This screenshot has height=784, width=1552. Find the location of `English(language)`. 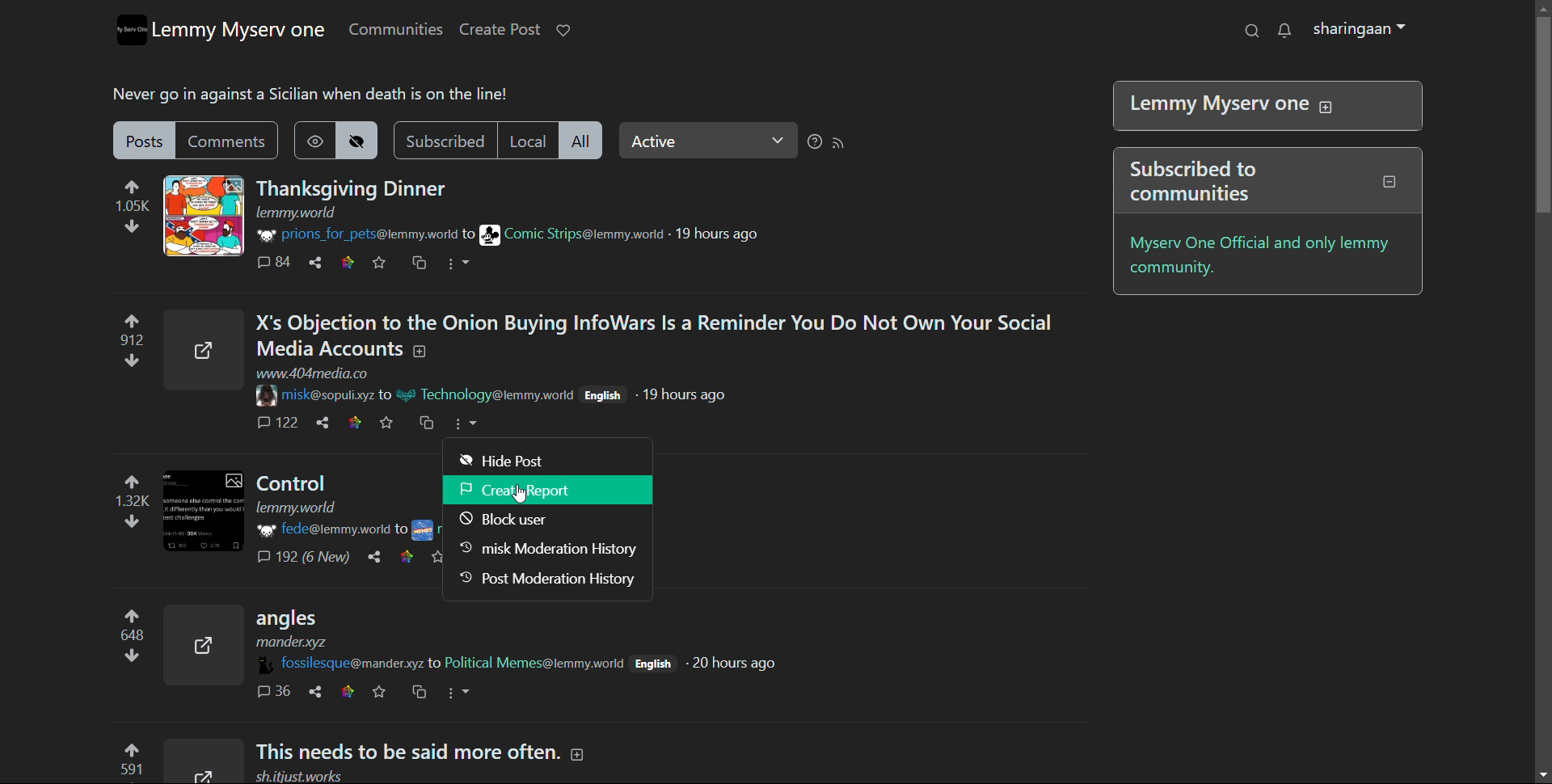

English(language) is located at coordinates (603, 395).